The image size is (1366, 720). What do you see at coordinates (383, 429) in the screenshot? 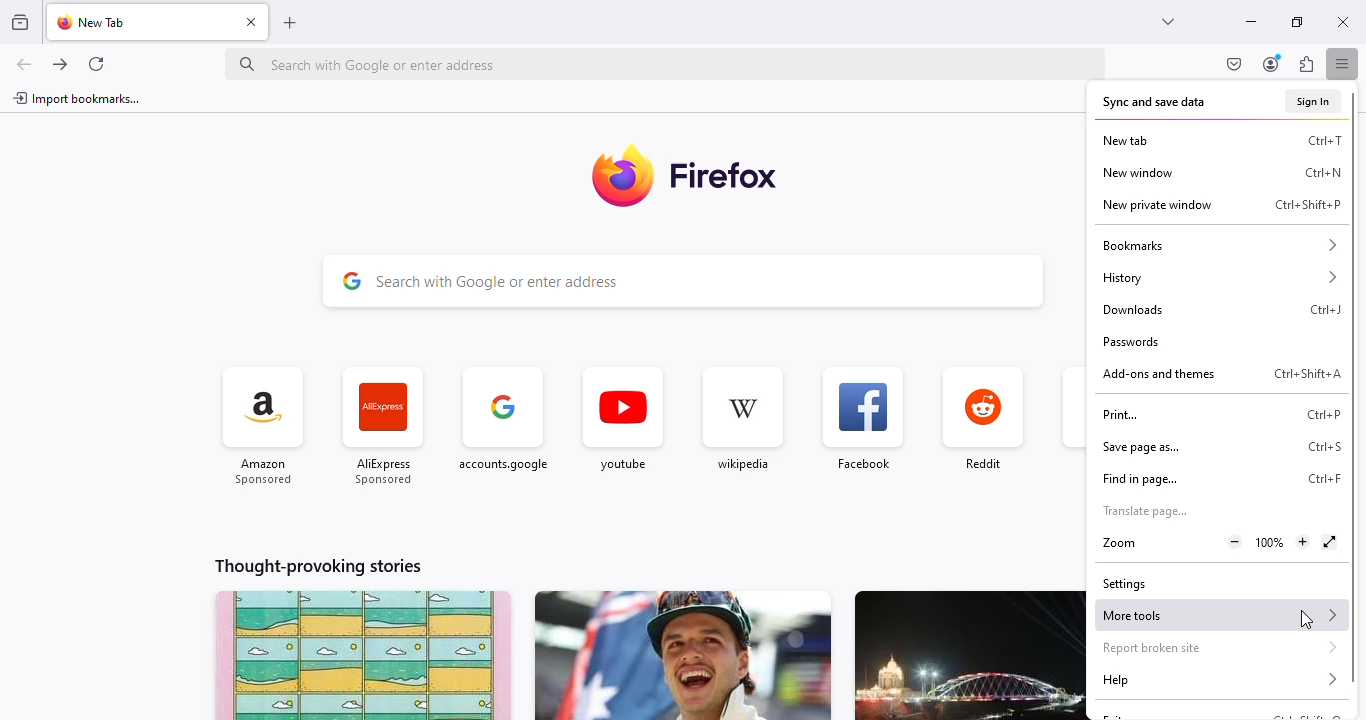
I see `AliExpress` at bounding box center [383, 429].